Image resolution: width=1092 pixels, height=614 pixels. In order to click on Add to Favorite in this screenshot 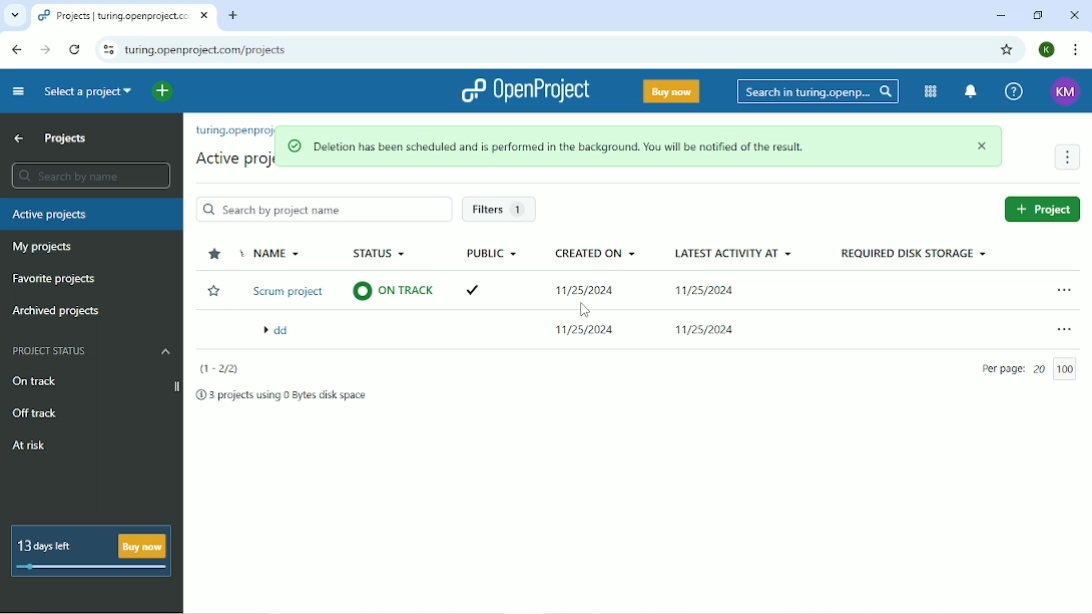, I will do `click(214, 291)`.